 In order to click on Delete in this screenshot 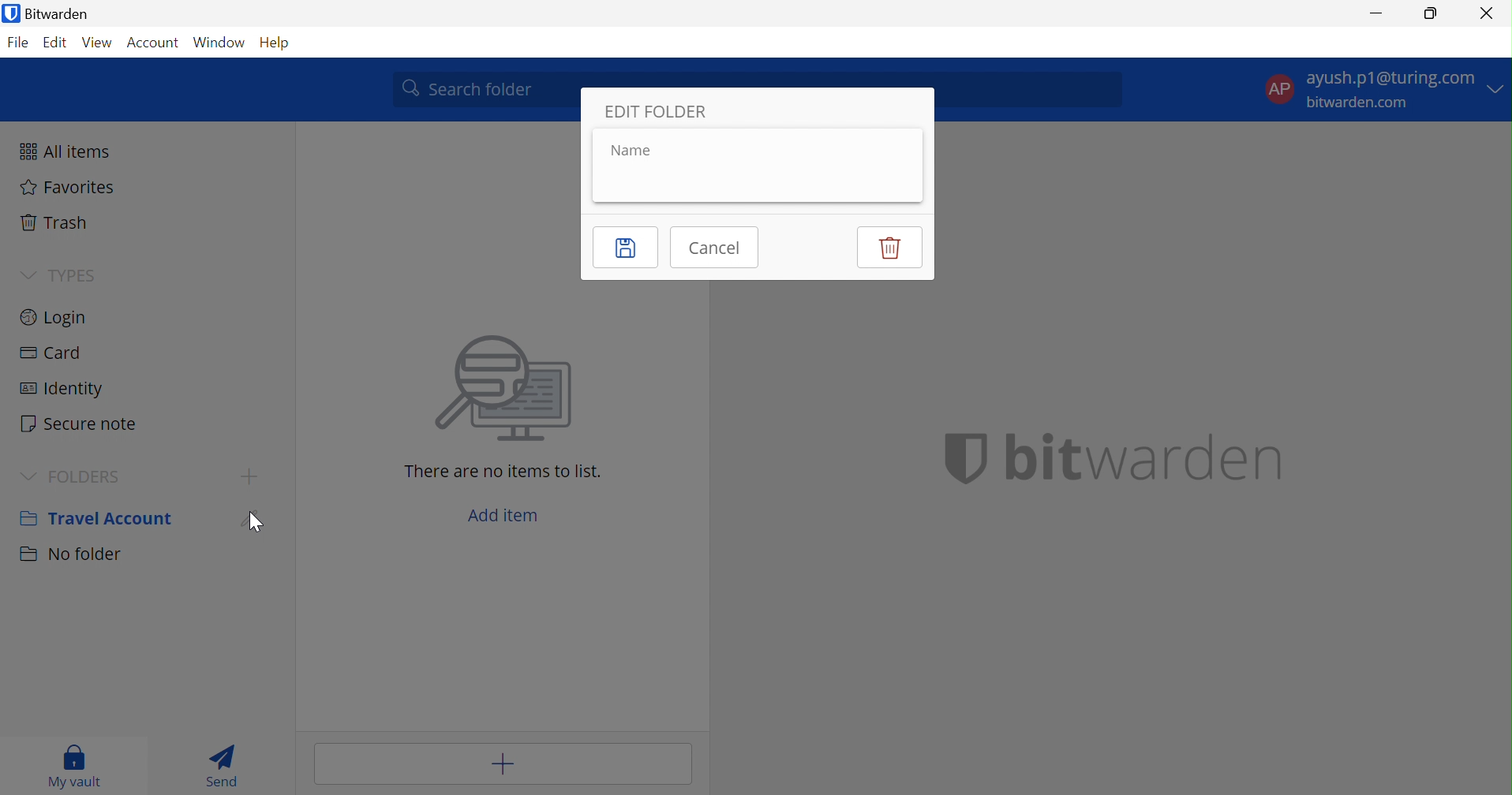, I will do `click(888, 247)`.